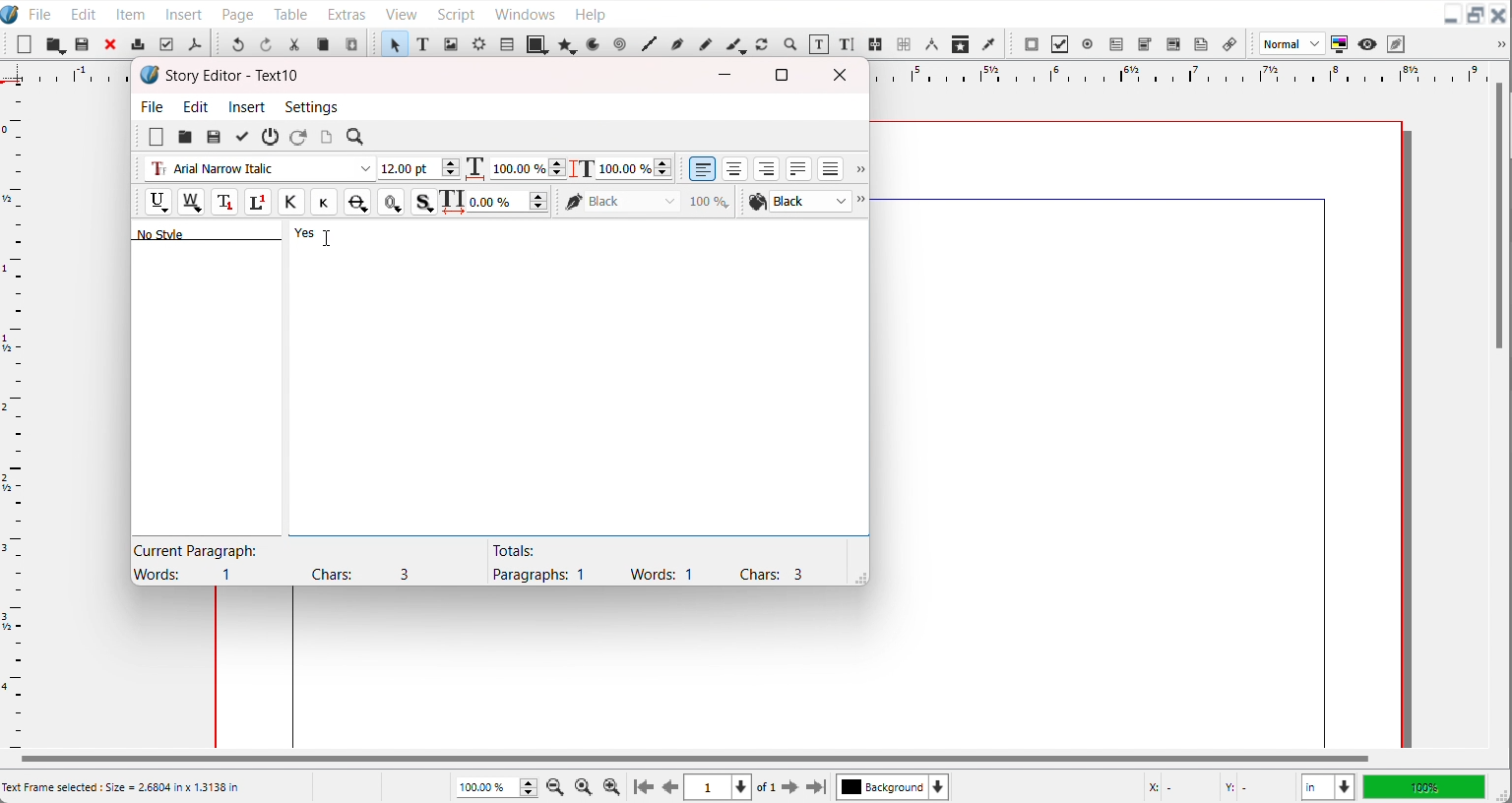 This screenshot has width=1512, height=803. I want to click on Adjust Zoom, so click(498, 787).